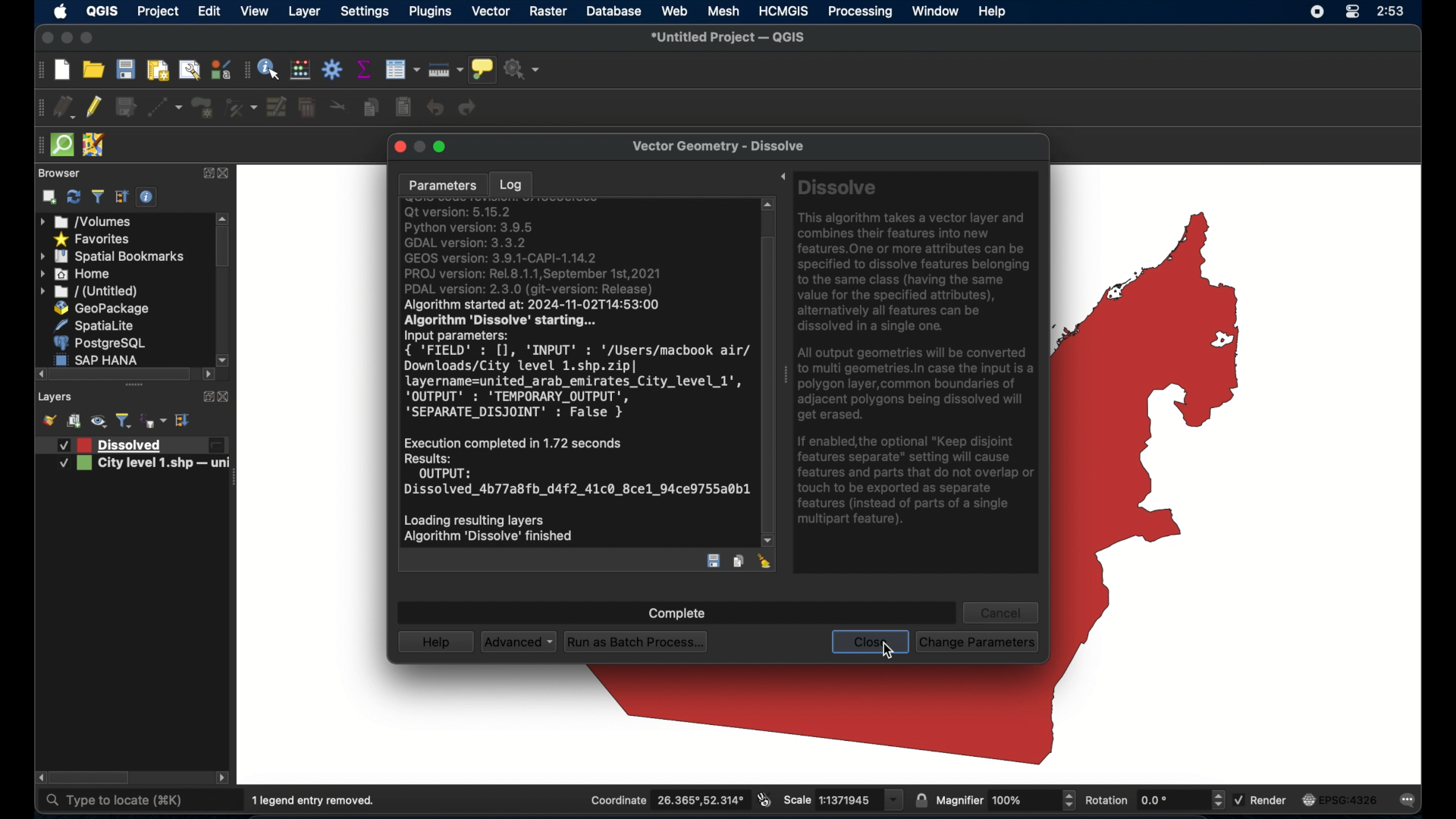 This screenshot has width=1456, height=819. I want to click on layers, so click(55, 397).